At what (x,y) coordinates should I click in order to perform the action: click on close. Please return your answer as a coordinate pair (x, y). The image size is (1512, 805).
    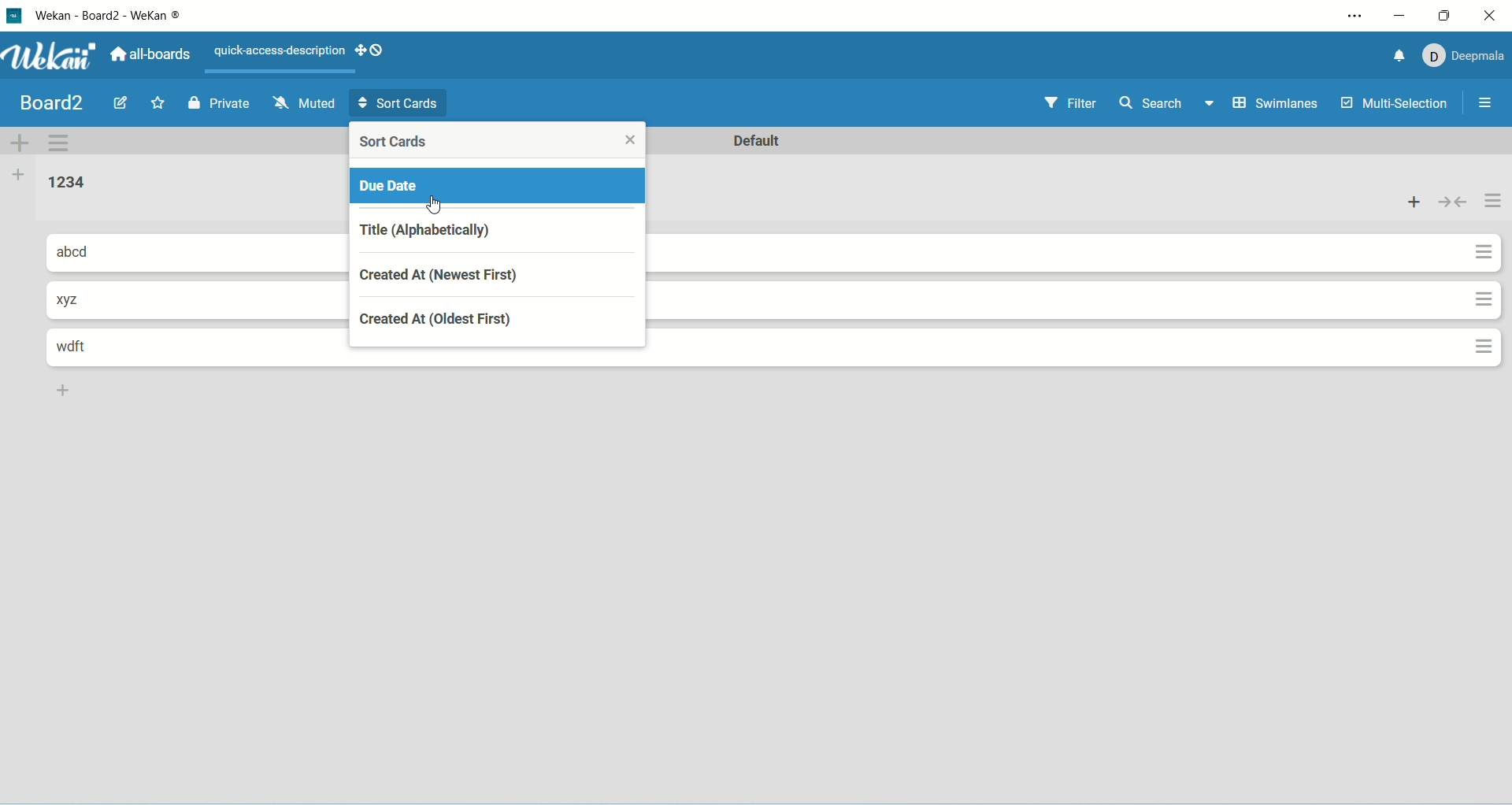
    Looking at the image, I should click on (1490, 13).